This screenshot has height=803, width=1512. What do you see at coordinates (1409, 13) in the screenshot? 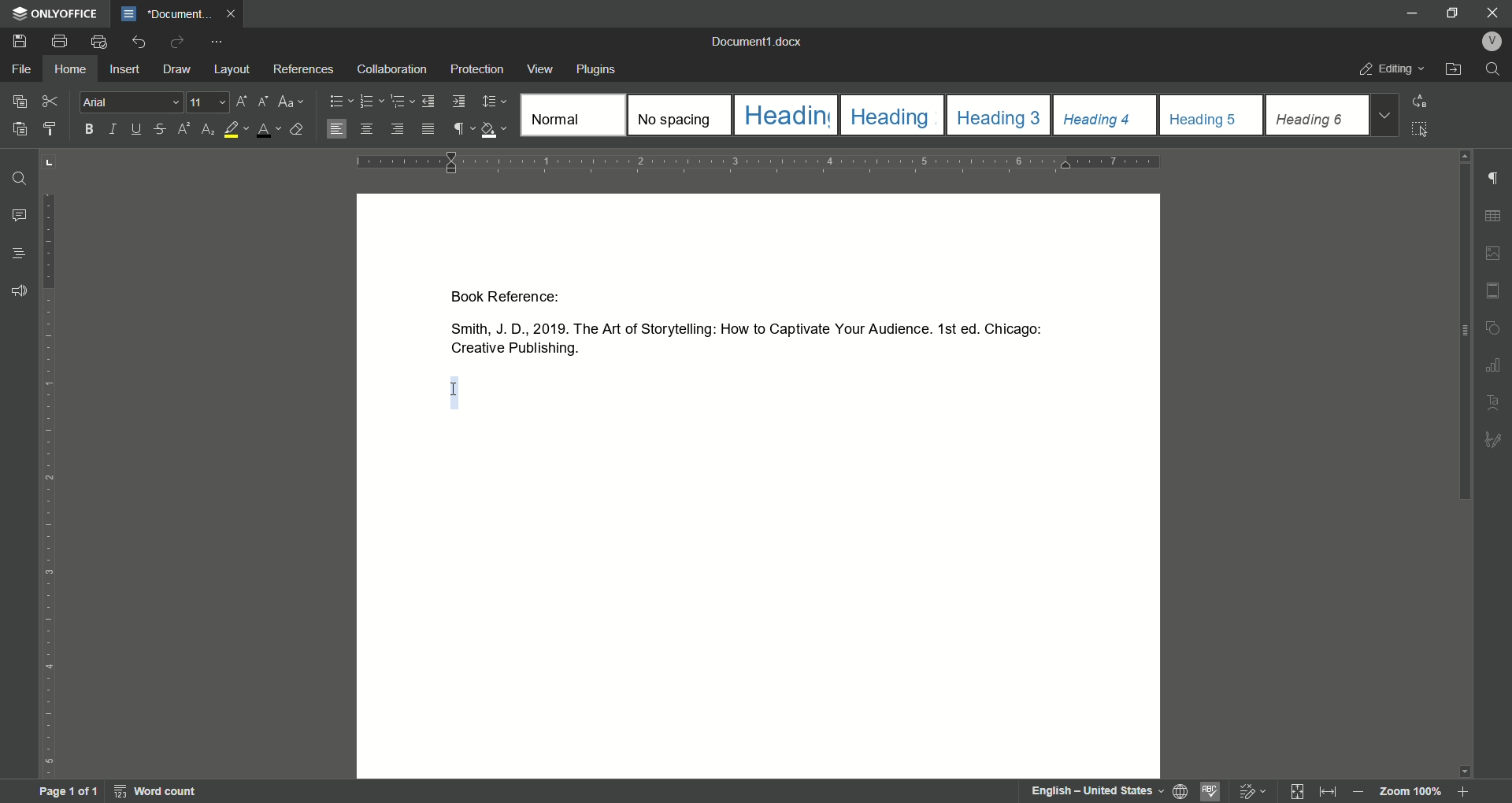
I see `hide window` at bounding box center [1409, 13].